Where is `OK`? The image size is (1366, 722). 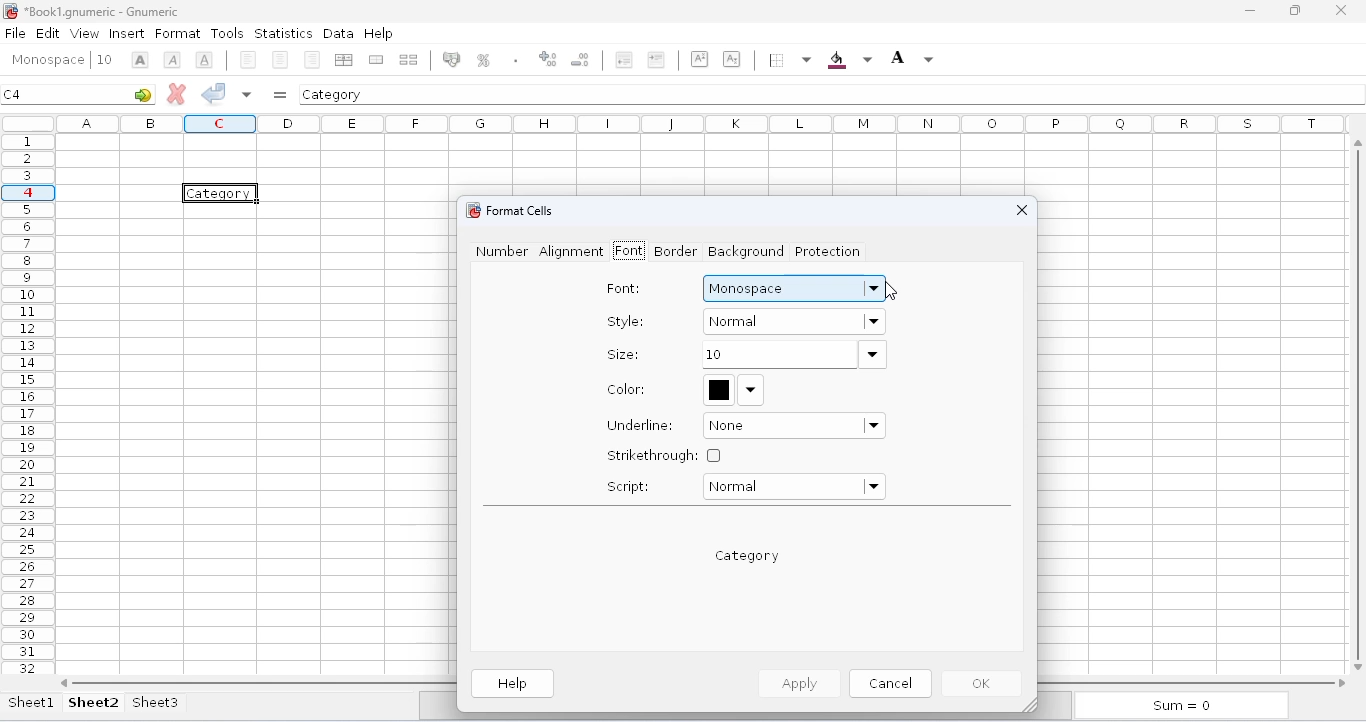 OK is located at coordinates (984, 684).